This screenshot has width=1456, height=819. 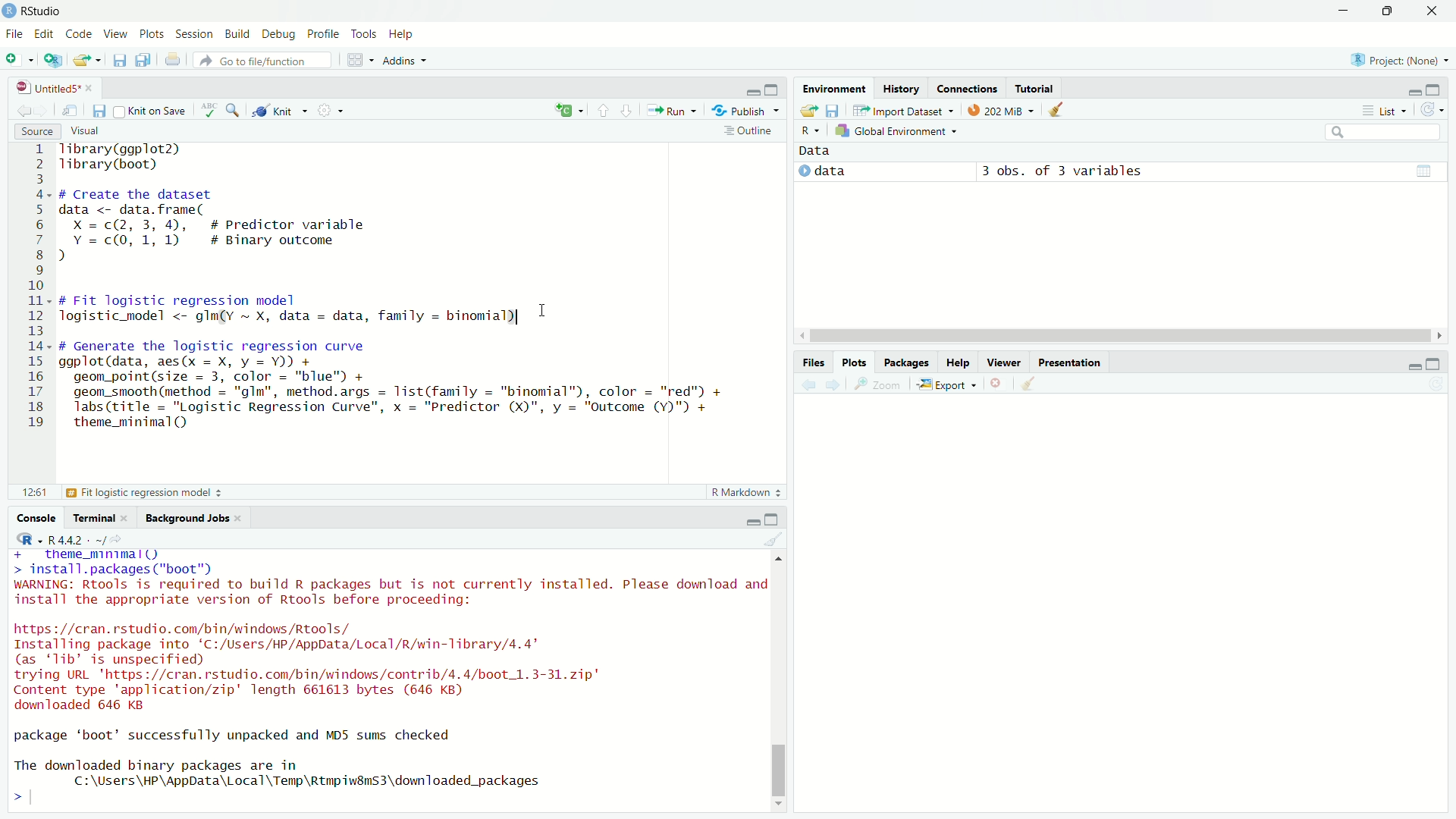 What do you see at coordinates (753, 92) in the screenshot?
I see `minimize` at bounding box center [753, 92].